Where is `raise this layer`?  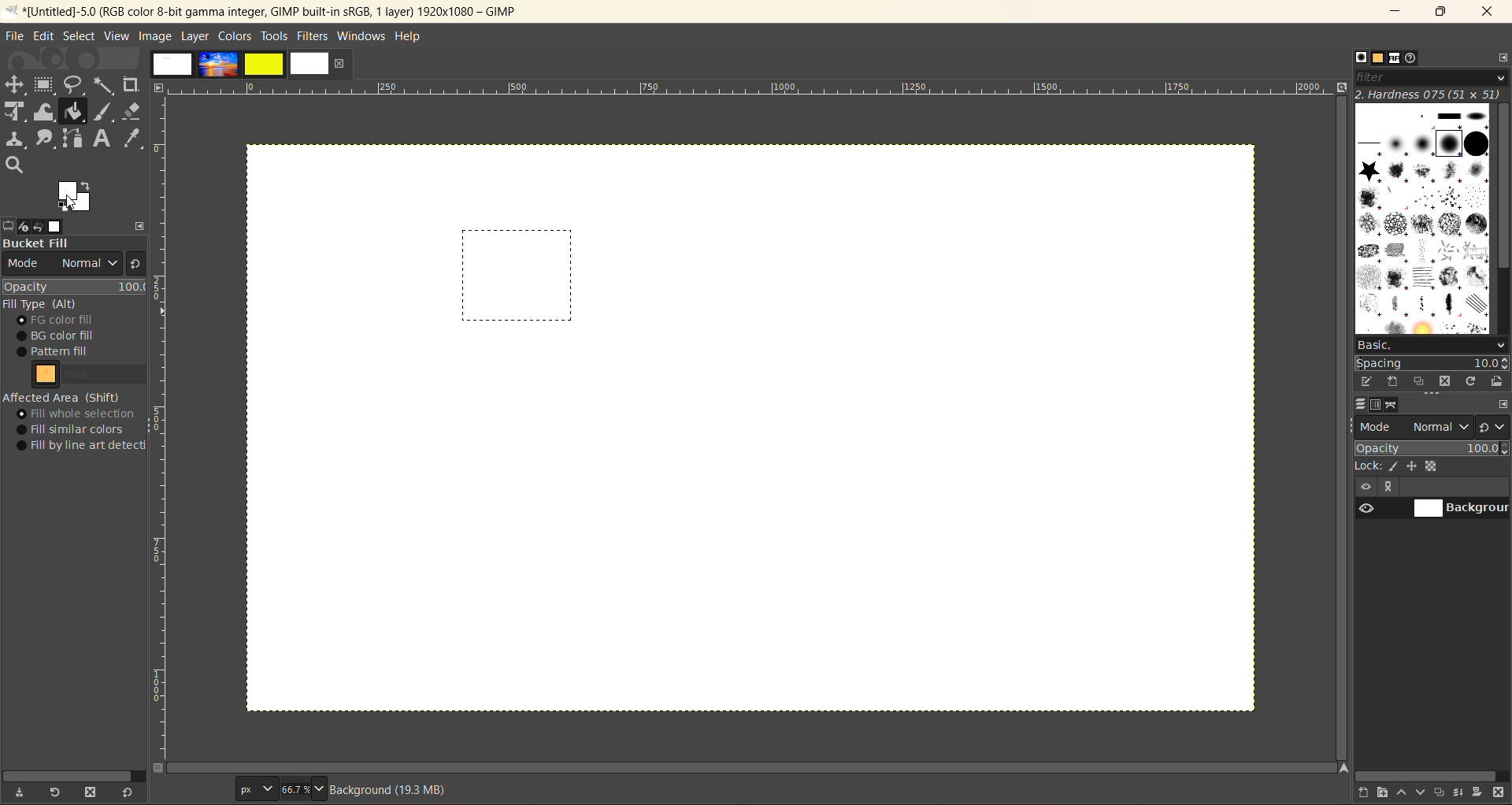 raise this layer is located at coordinates (1405, 792).